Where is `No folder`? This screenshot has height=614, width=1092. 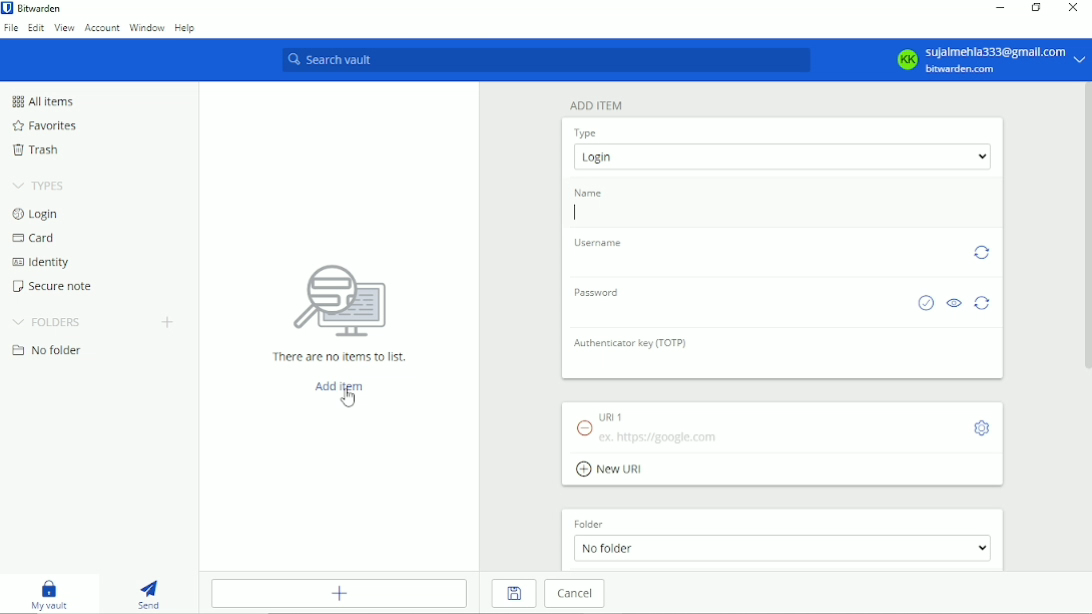 No folder is located at coordinates (782, 549).